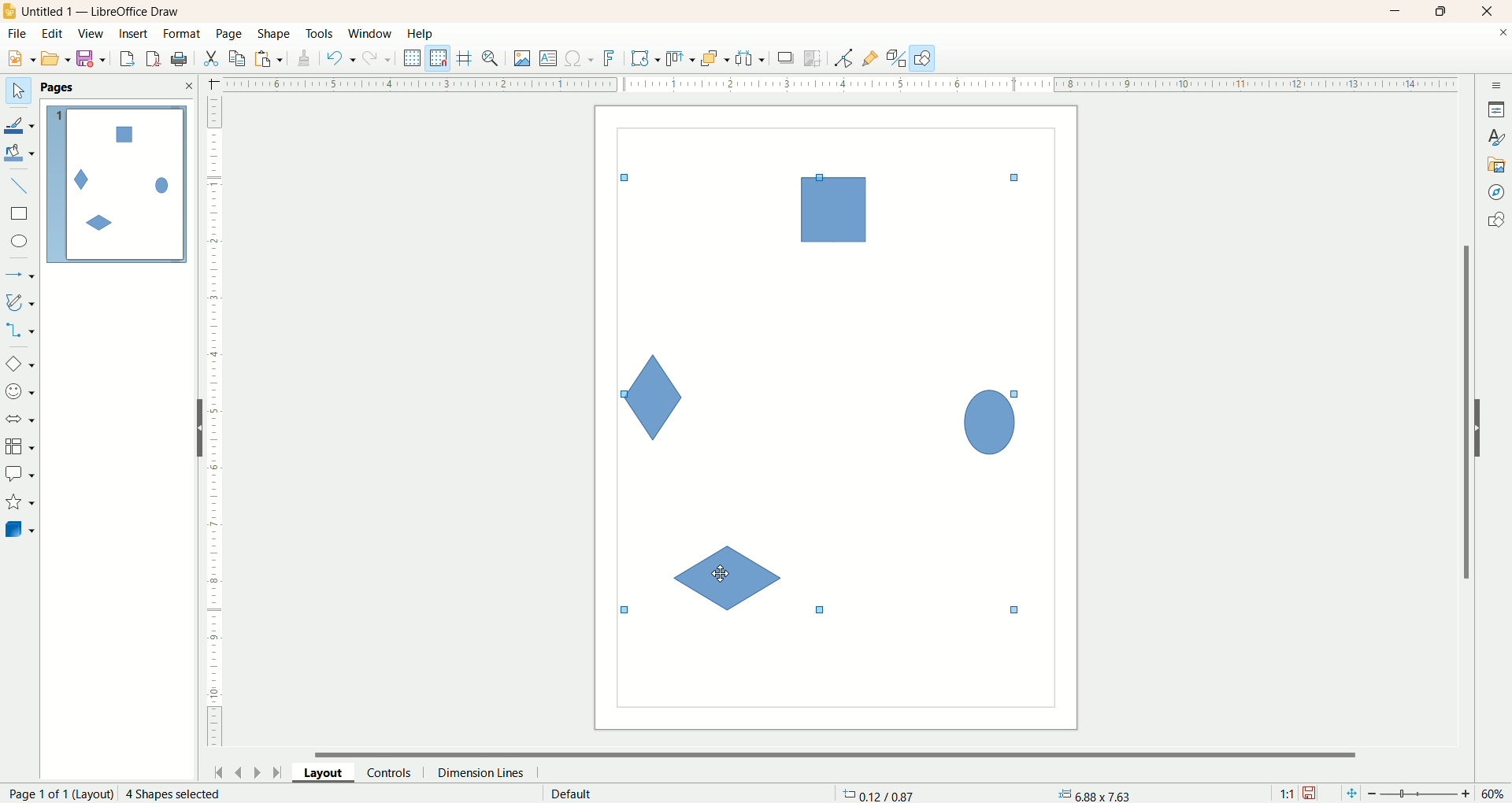 Image resolution: width=1512 pixels, height=803 pixels. Describe the element at coordinates (18, 91) in the screenshot. I see `select` at that location.